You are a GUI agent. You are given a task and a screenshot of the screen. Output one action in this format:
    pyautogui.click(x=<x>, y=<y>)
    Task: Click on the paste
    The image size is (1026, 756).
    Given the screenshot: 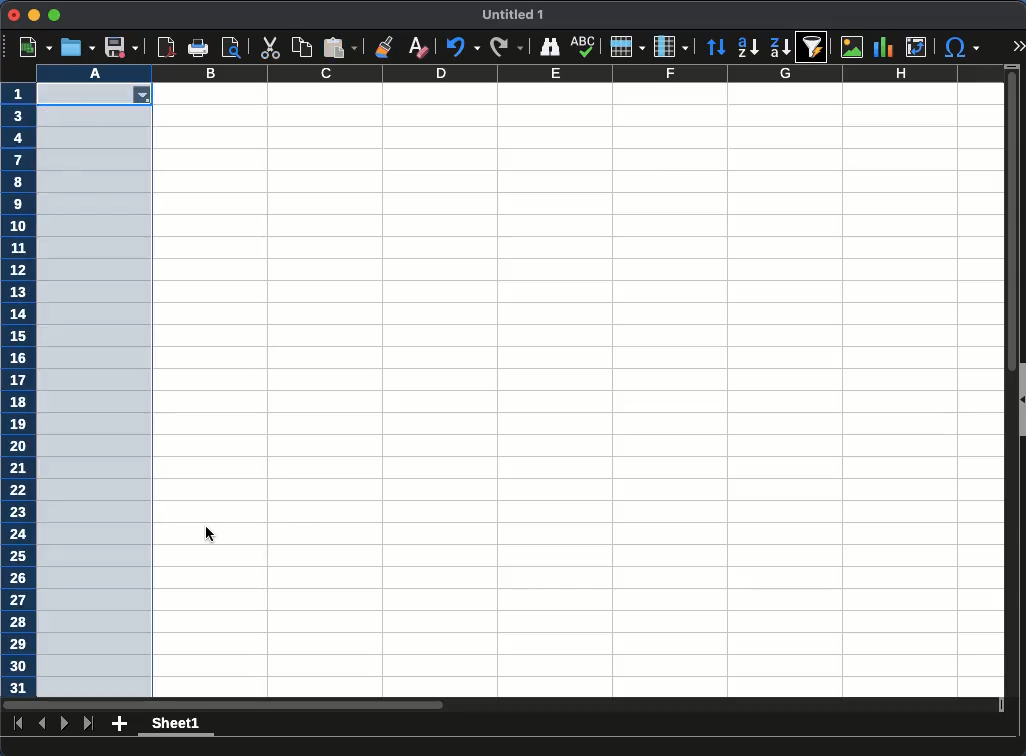 What is the action you would take?
    pyautogui.click(x=340, y=47)
    